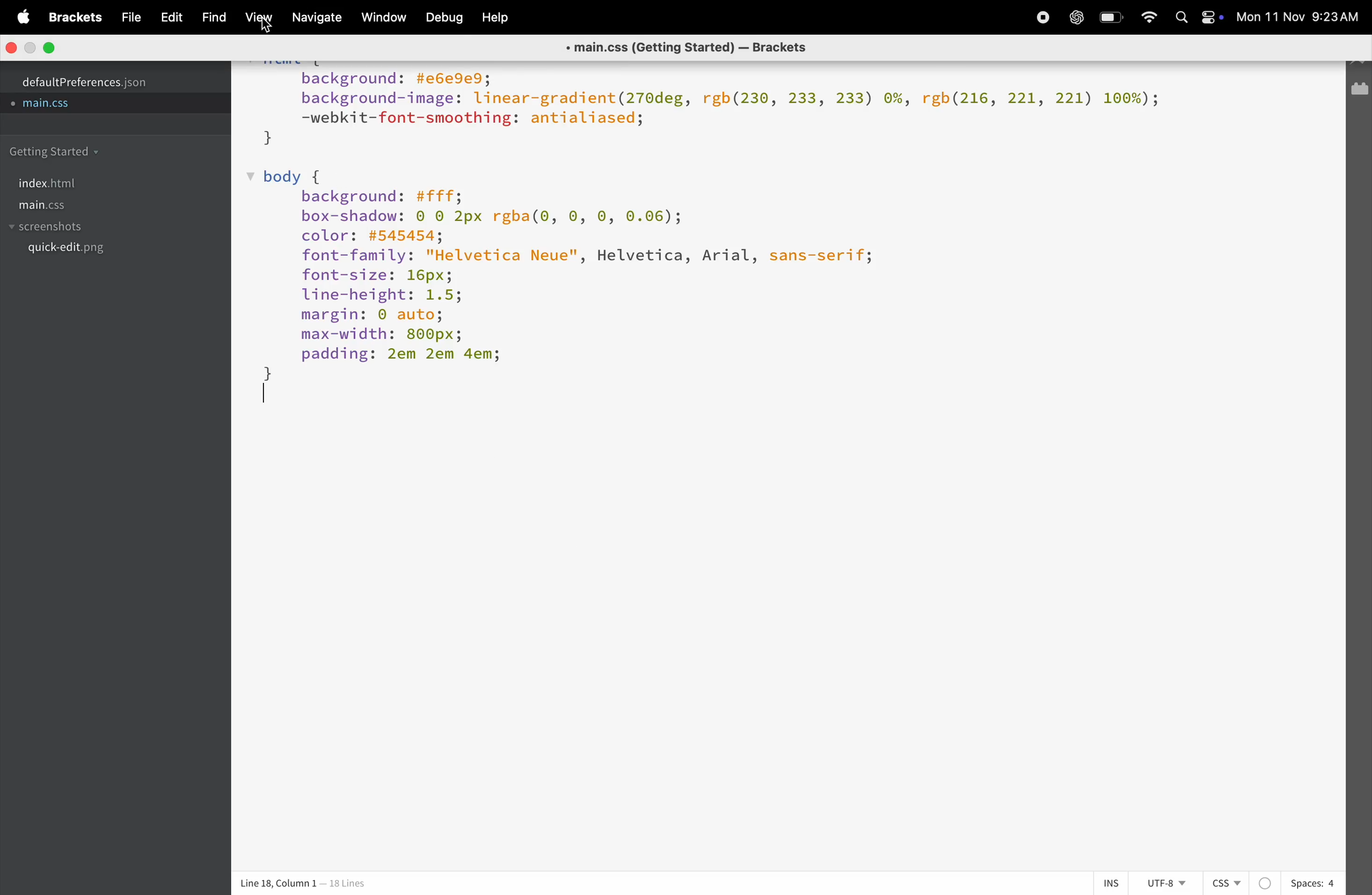 The height and width of the screenshot is (895, 1372). Describe the element at coordinates (1241, 883) in the screenshot. I see `css` at that location.